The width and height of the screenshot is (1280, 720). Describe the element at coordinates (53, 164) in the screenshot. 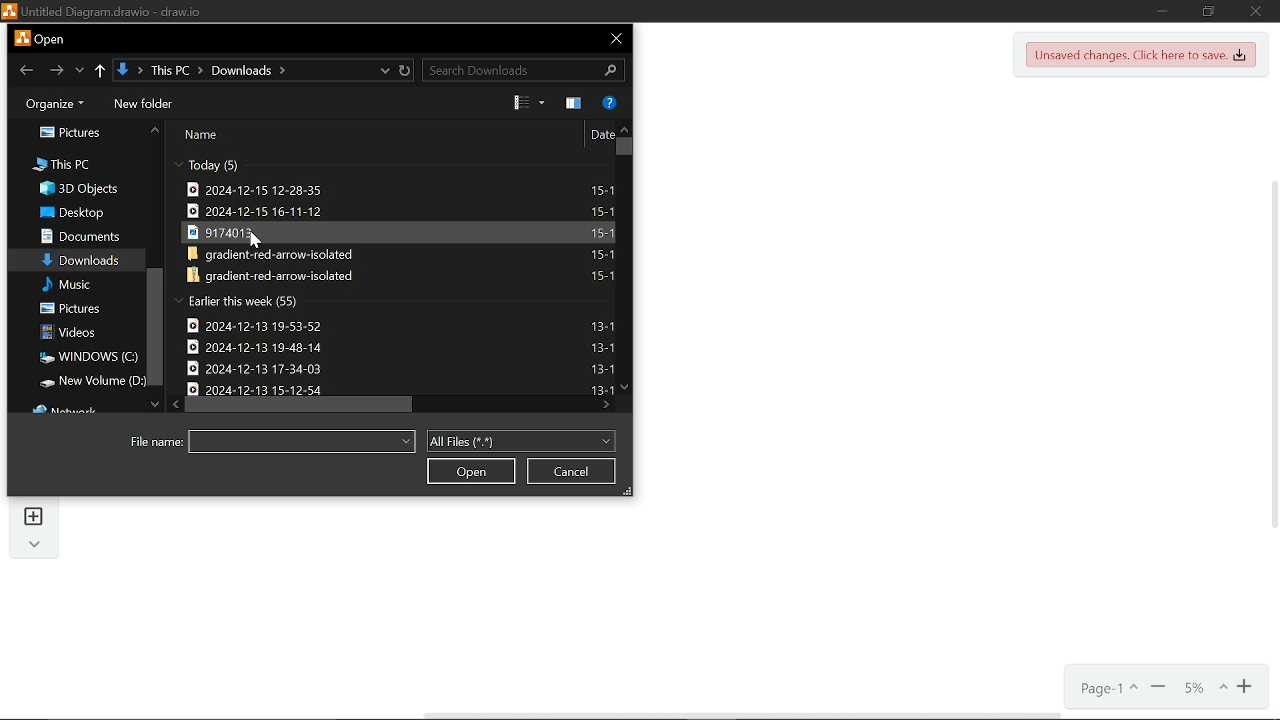

I see `this pc` at that location.